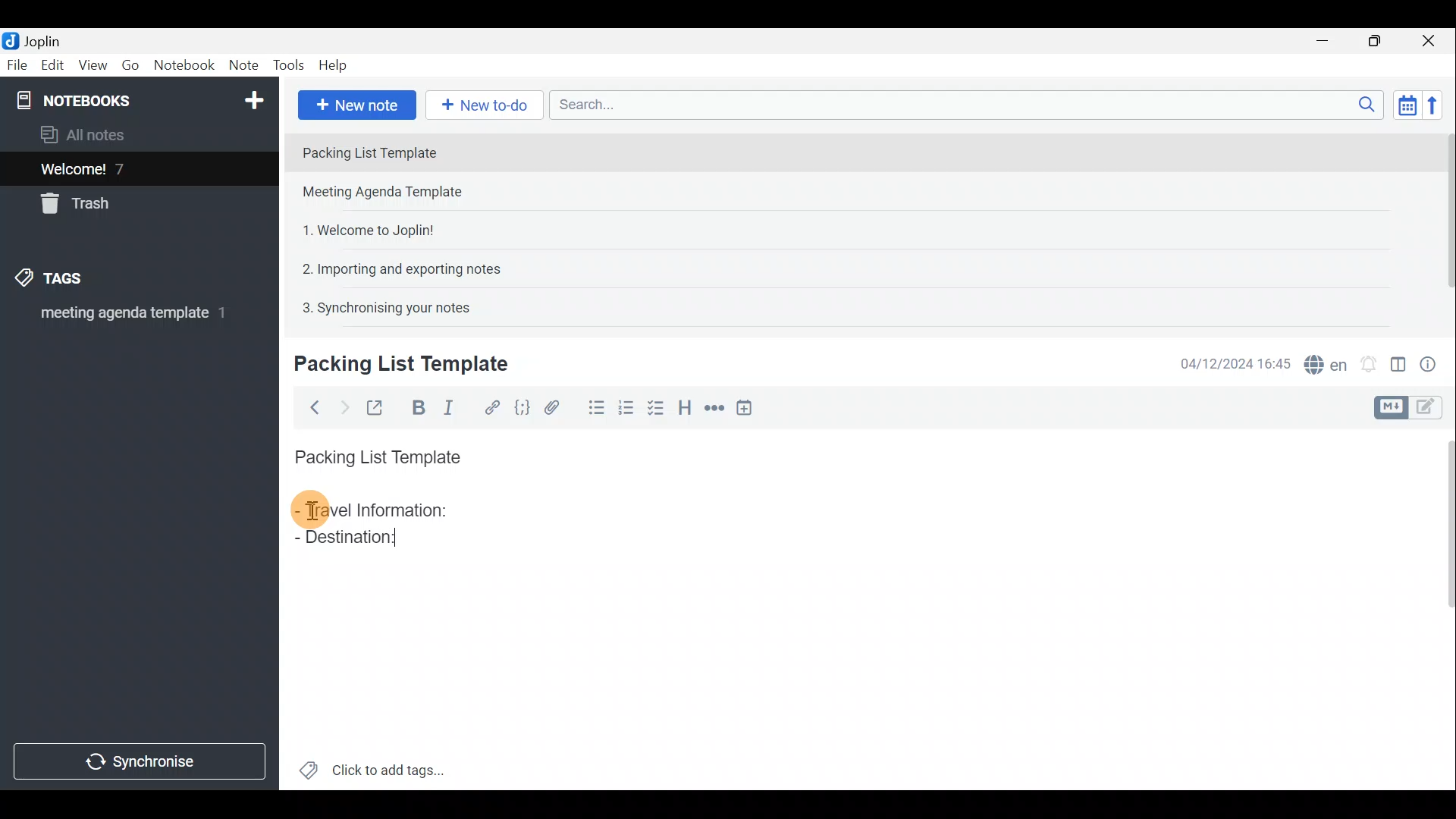 This screenshot has height=819, width=1456. Describe the element at coordinates (341, 406) in the screenshot. I see `Forward` at that location.